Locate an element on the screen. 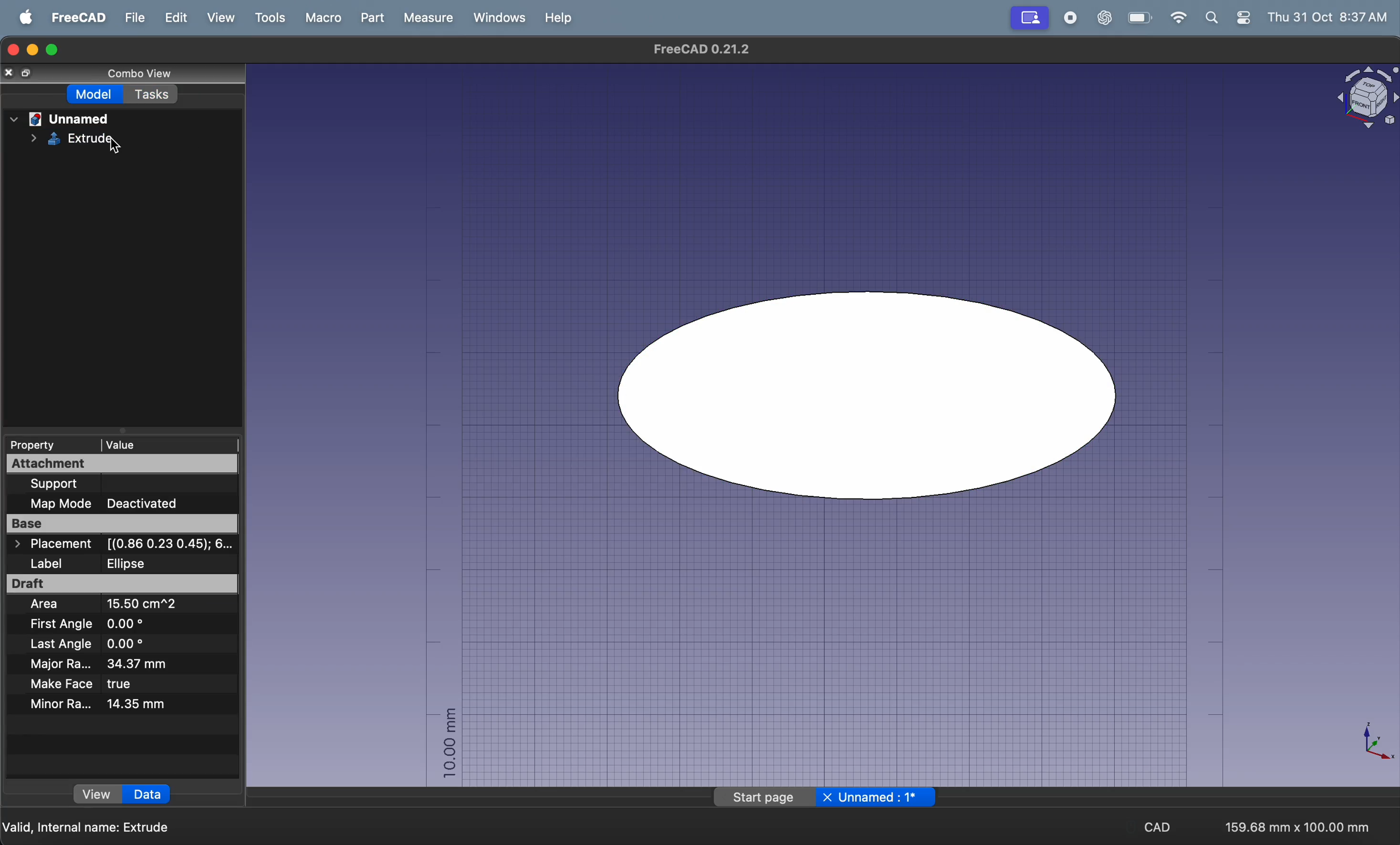 The image size is (1400, 845). tasks is located at coordinates (159, 98).